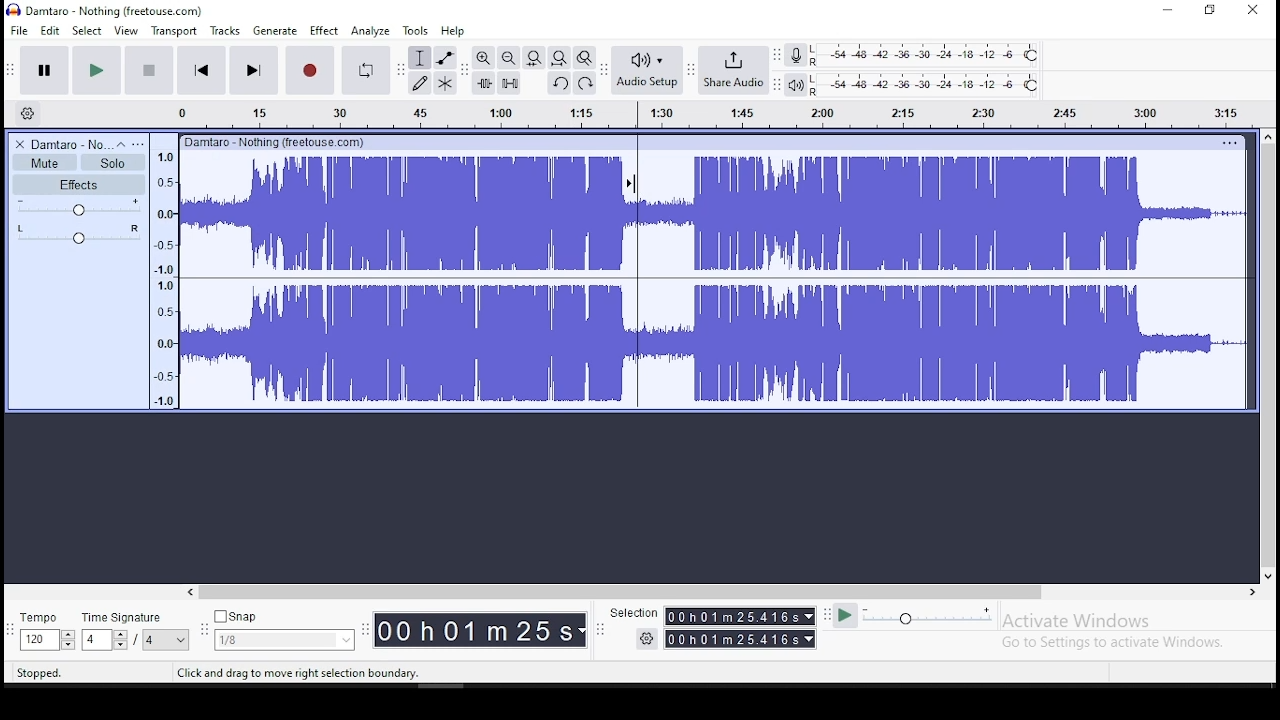  What do you see at coordinates (647, 639) in the screenshot?
I see `settings` at bounding box center [647, 639].